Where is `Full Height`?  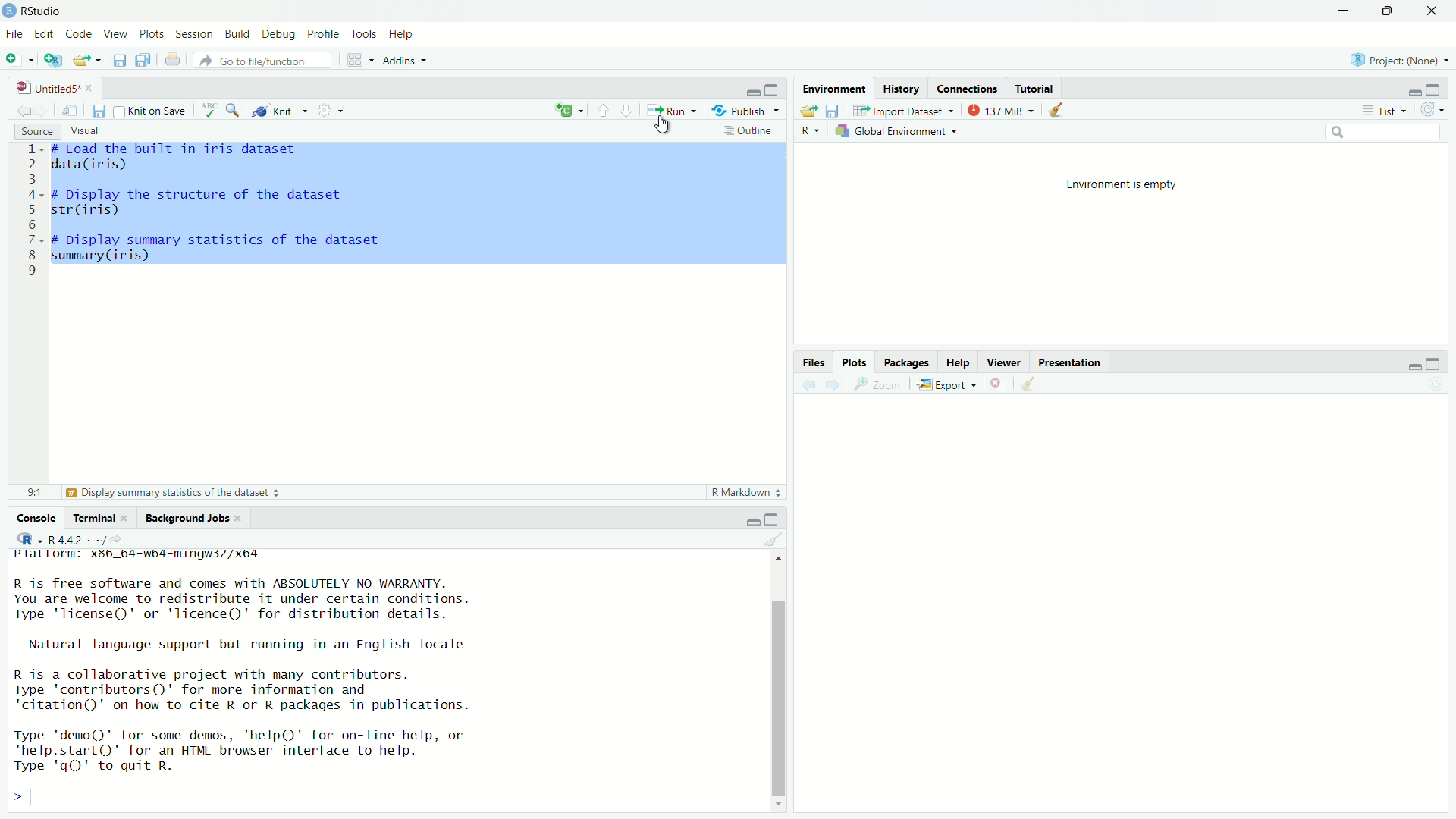
Full Height is located at coordinates (1434, 363).